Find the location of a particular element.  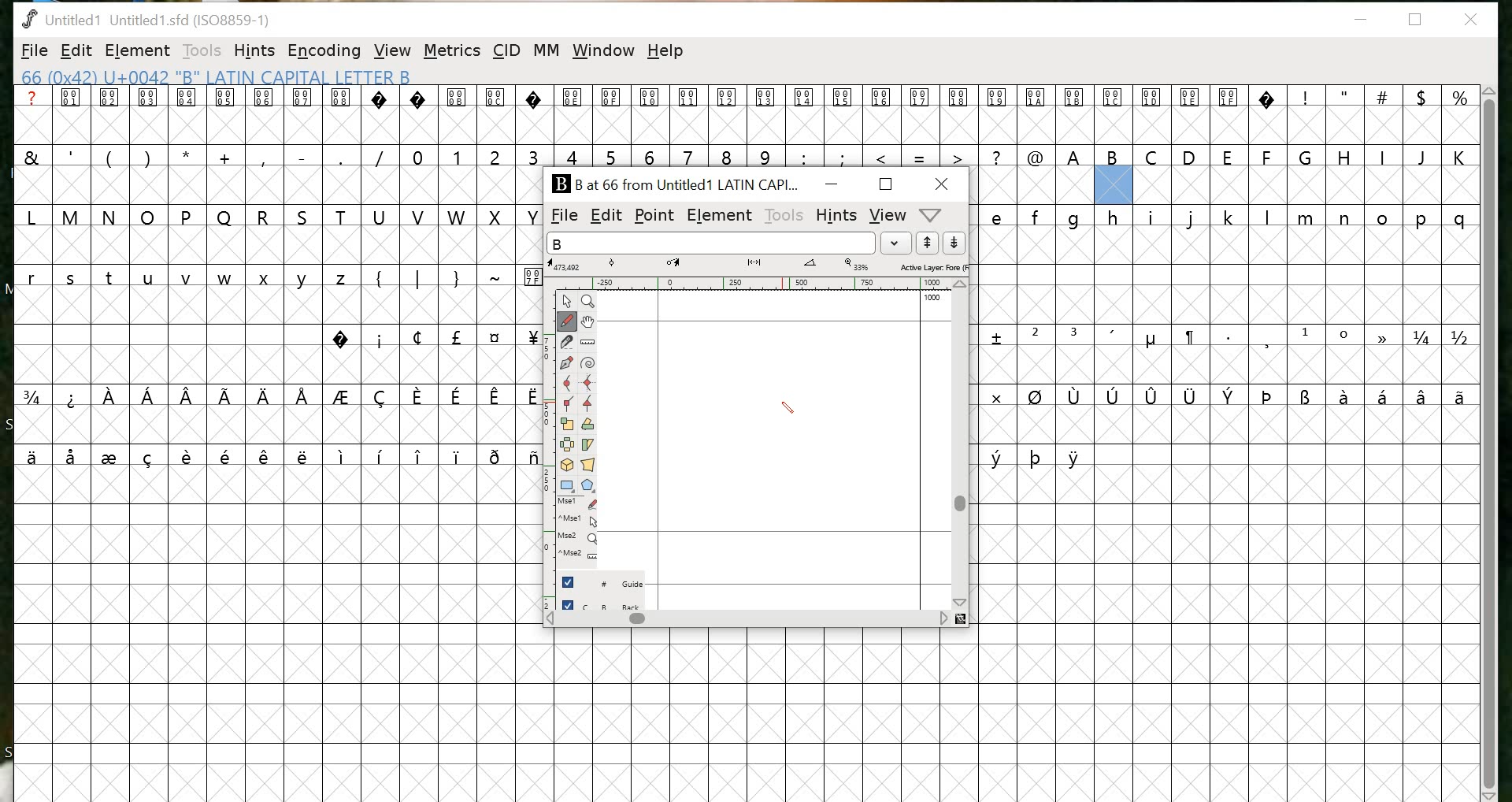

Point is located at coordinates (568, 302).